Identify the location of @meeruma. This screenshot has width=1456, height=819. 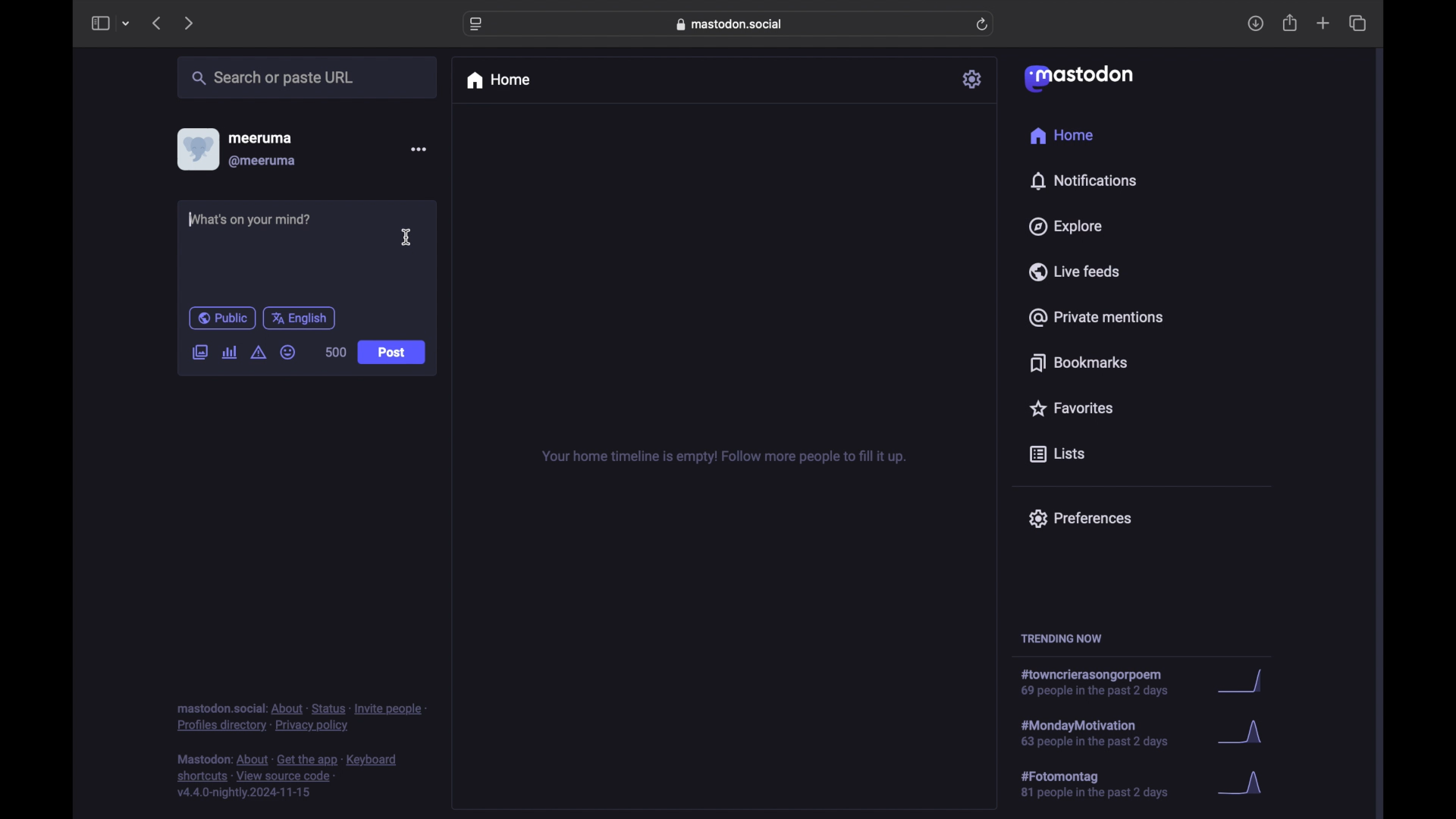
(262, 162).